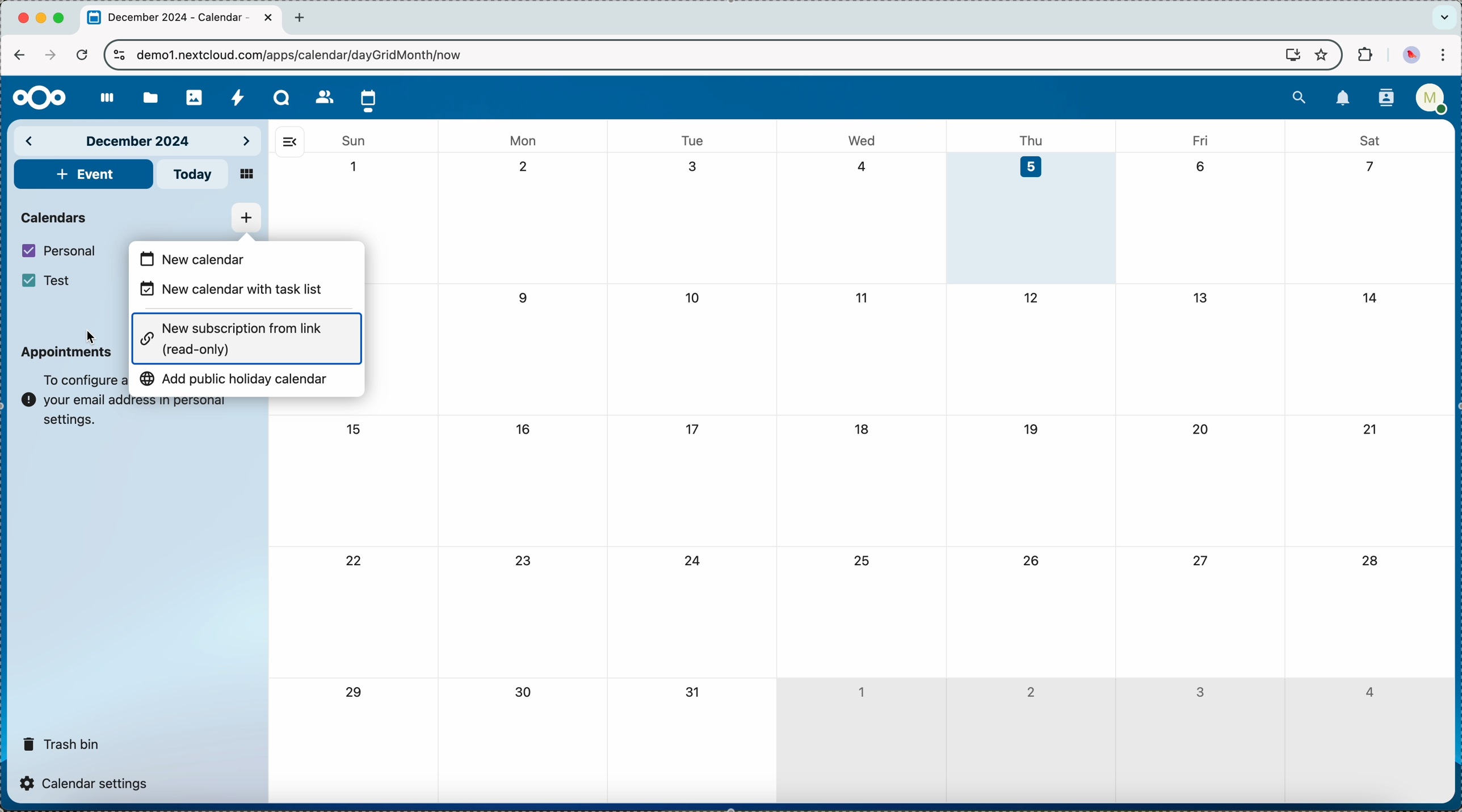 This screenshot has height=812, width=1462. Describe the element at coordinates (140, 140) in the screenshot. I see `december 2024` at that location.